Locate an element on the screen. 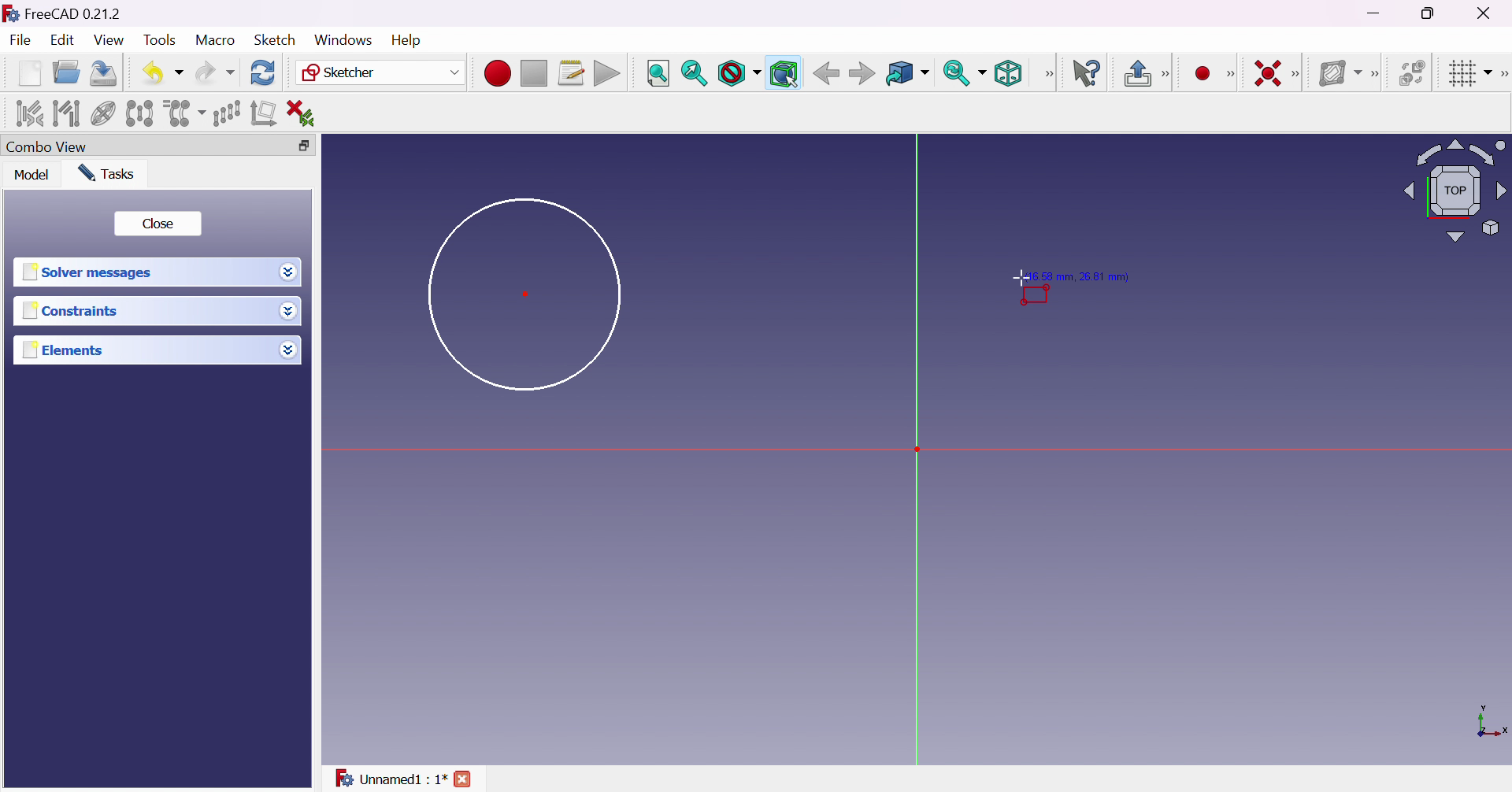  Macros is located at coordinates (572, 73).